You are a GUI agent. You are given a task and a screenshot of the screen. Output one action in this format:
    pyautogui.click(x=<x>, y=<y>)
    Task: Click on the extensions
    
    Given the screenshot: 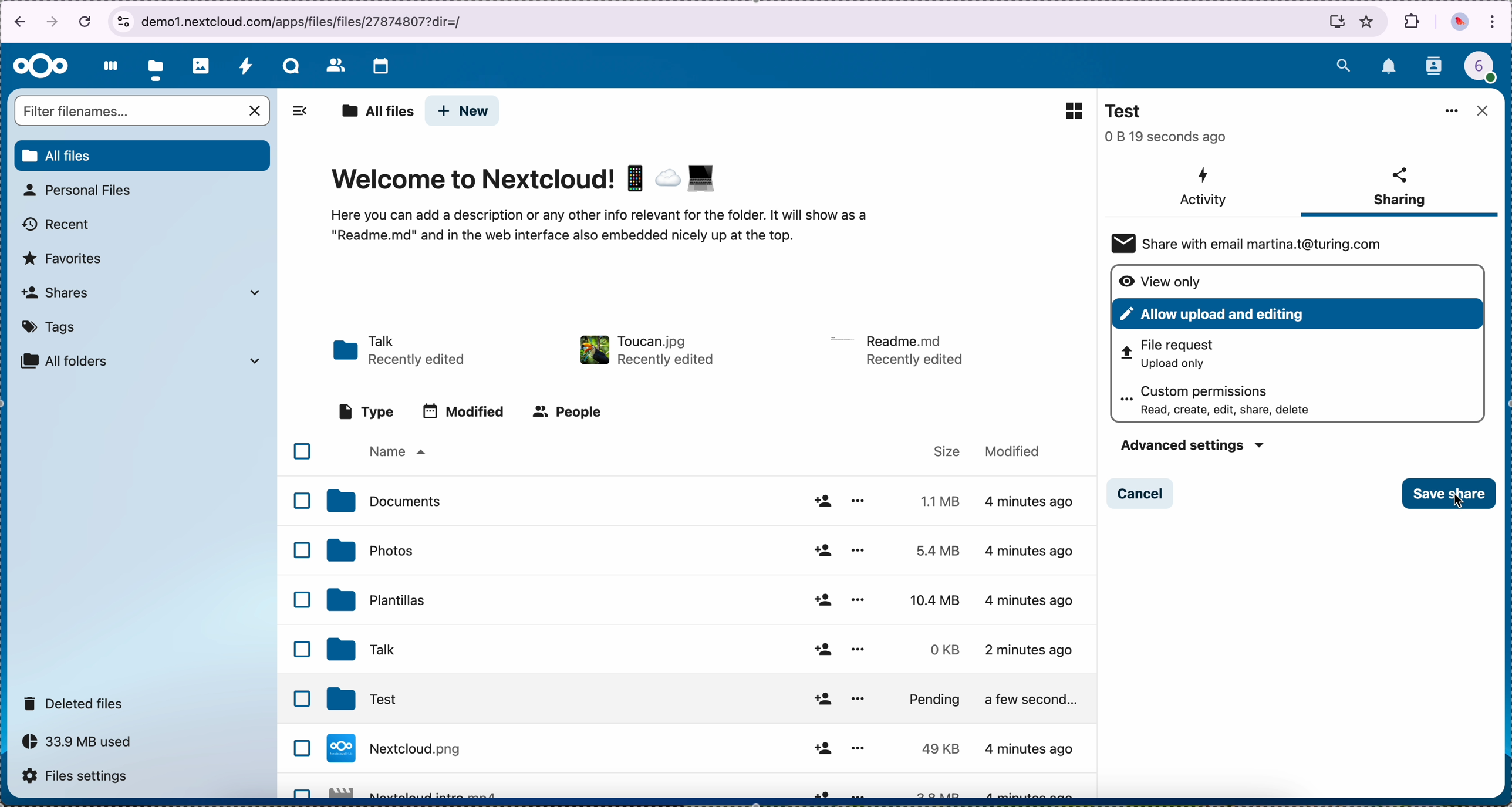 What is the action you would take?
    pyautogui.click(x=1413, y=21)
    